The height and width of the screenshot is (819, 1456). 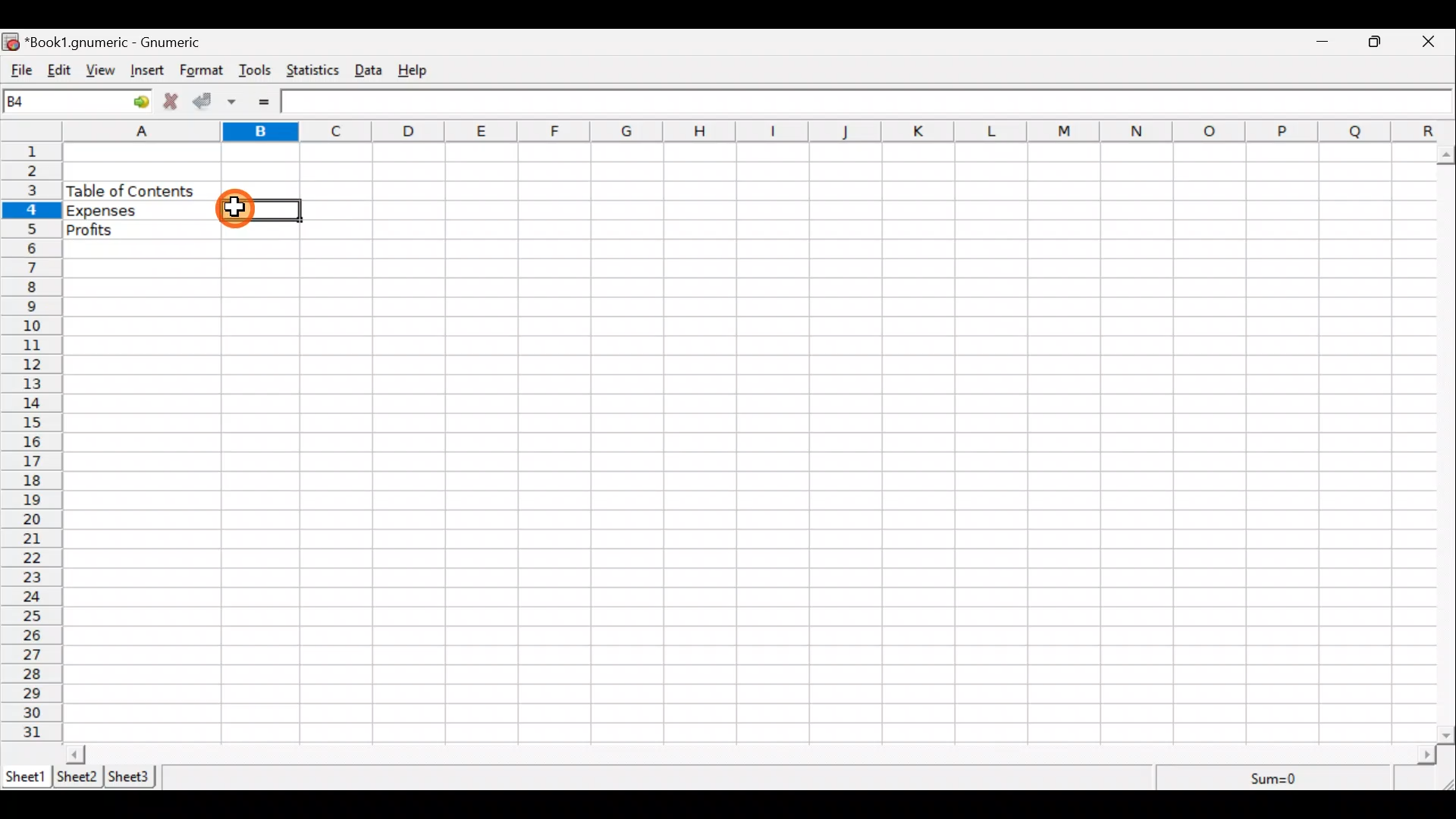 What do you see at coordinates (752, 754) in the screenshot?
I see `Scroll bar` at bounding box center [752, 754].